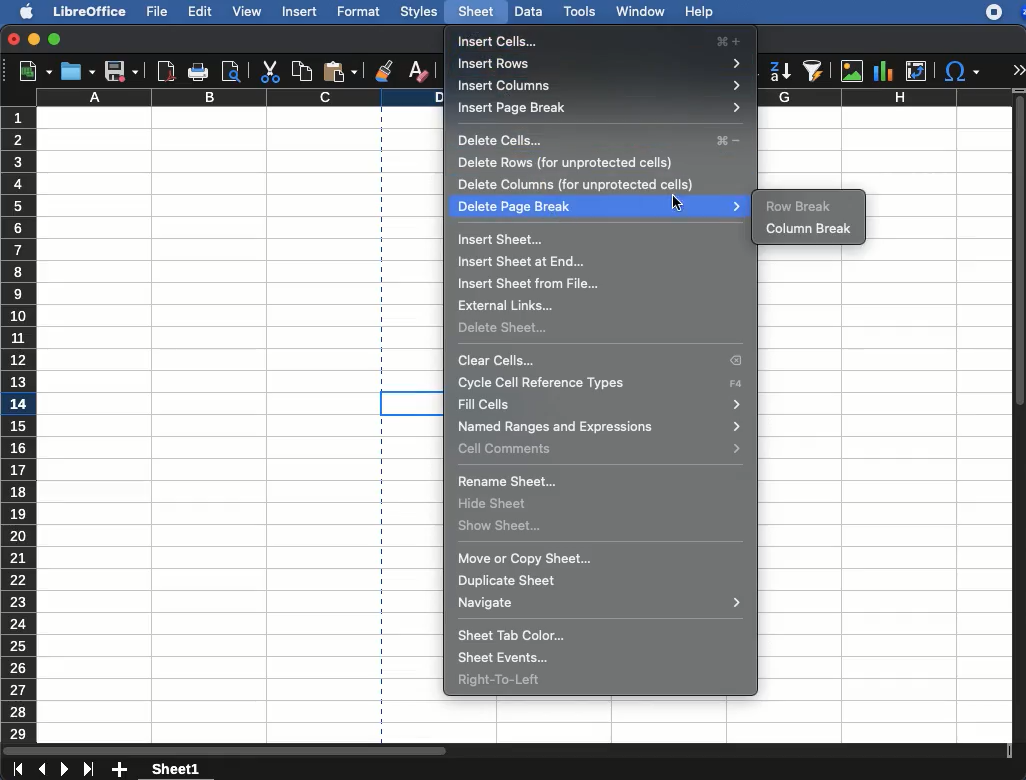  Describe the element at coordinates (91, 769) in the screenshot. I see `last sheet` at that location.